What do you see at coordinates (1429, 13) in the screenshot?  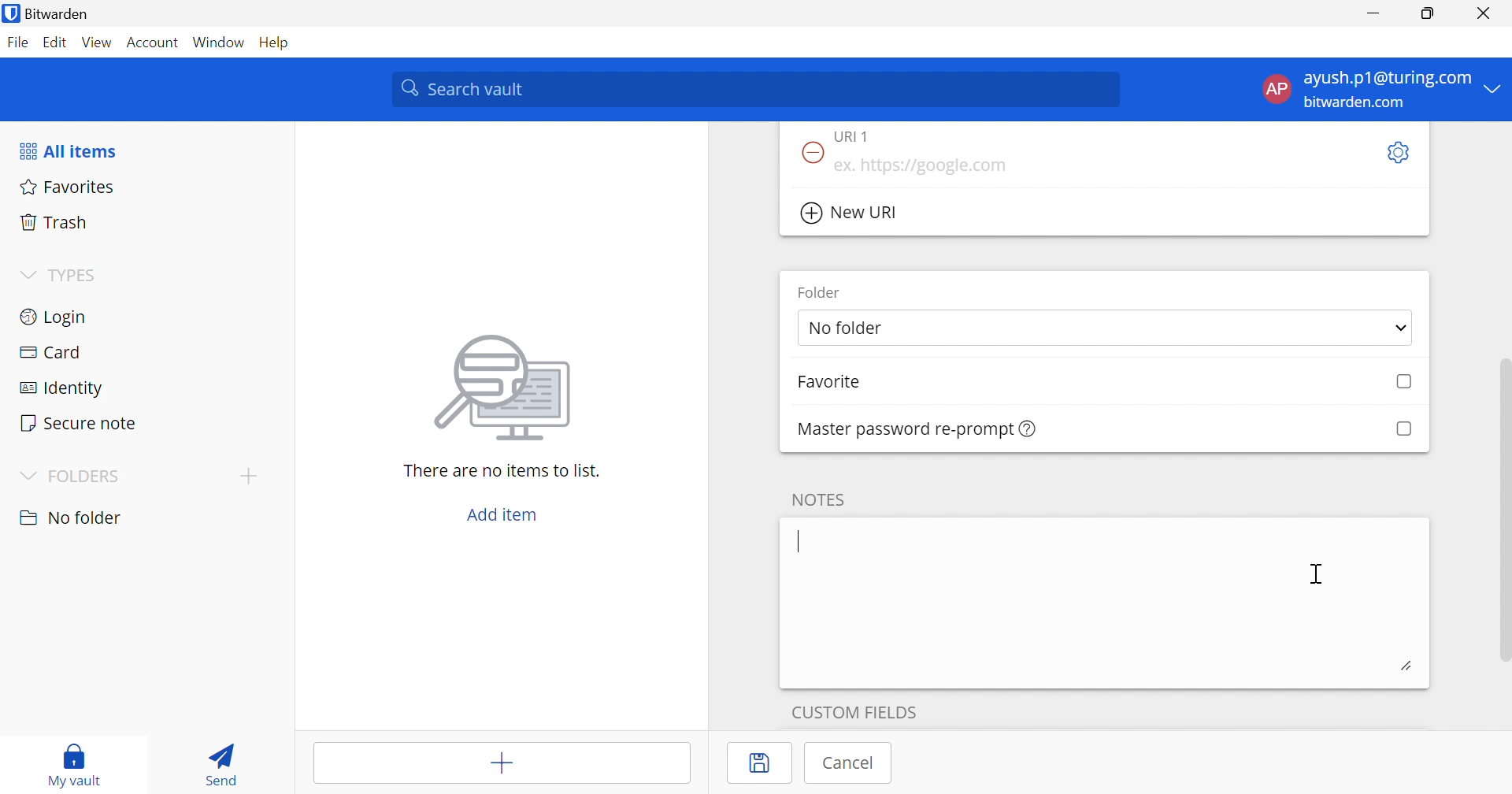 I see `Restore Down` at bounding box center [1429, 13].